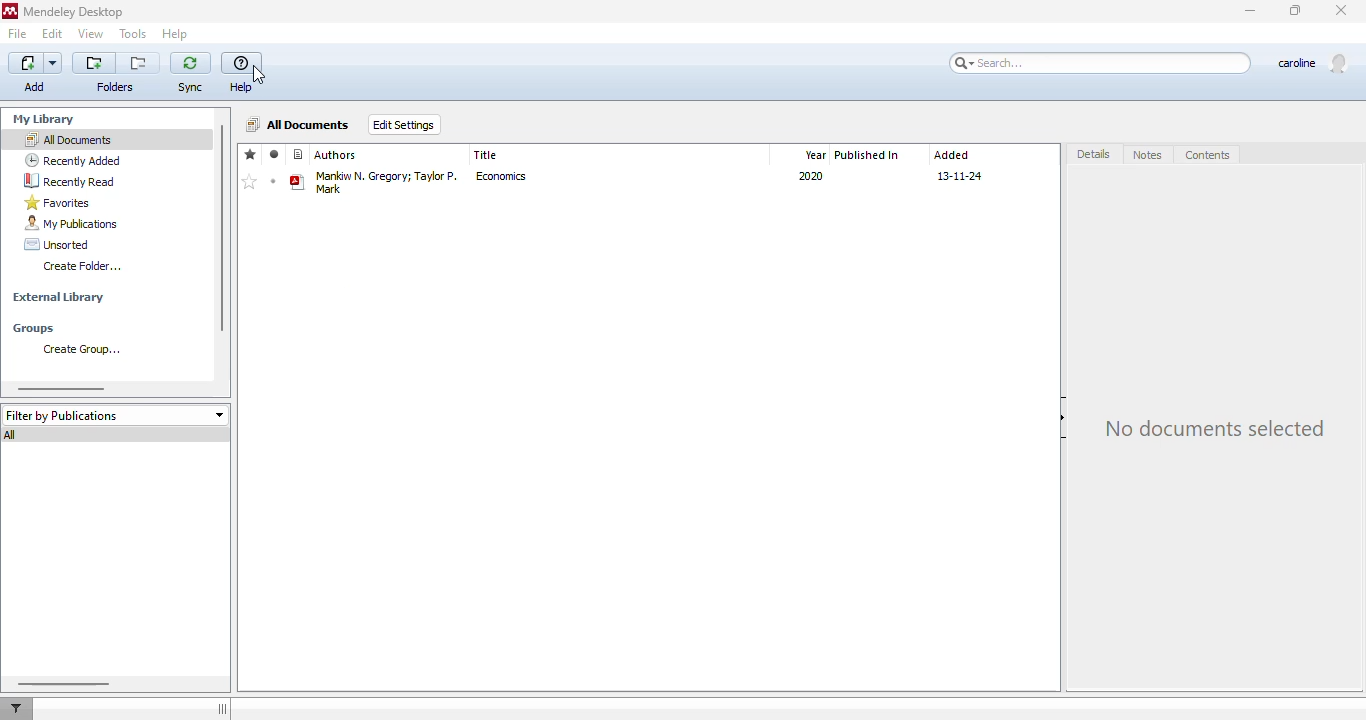 The height and width of the screenshot is (720, 1366). I want to click on view, so click(91, 34).